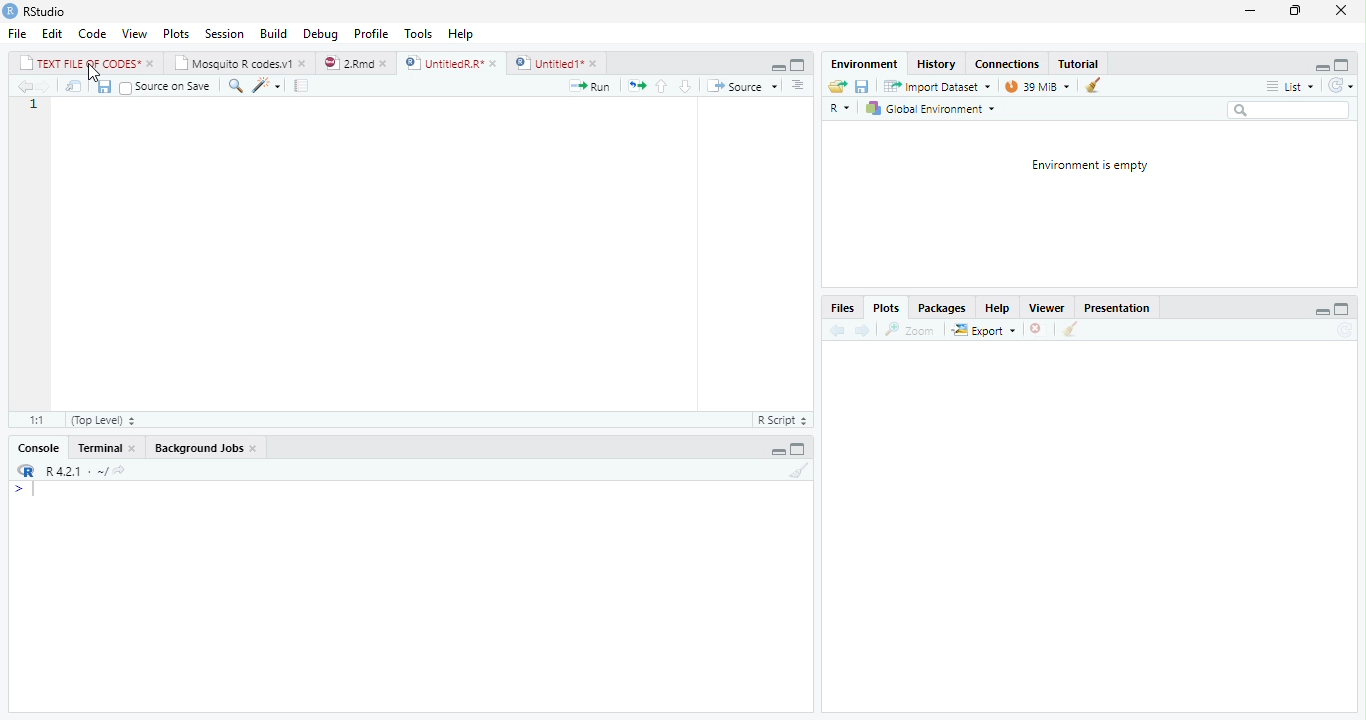 The image size is (1366, 720). I want to click on Next, so click(862, 331).